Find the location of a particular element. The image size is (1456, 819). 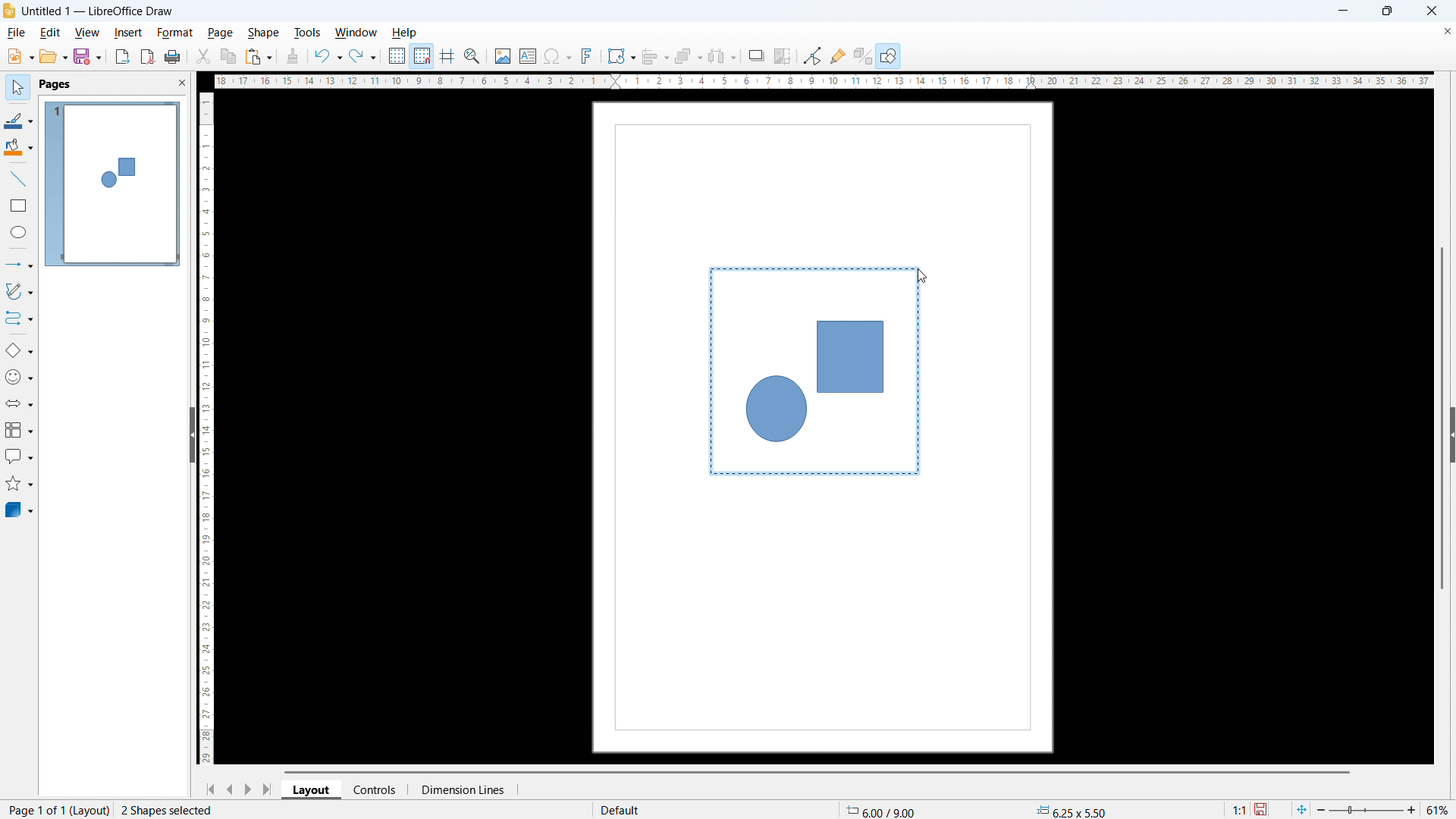

dimension lines is located at coordinates (461, 790).